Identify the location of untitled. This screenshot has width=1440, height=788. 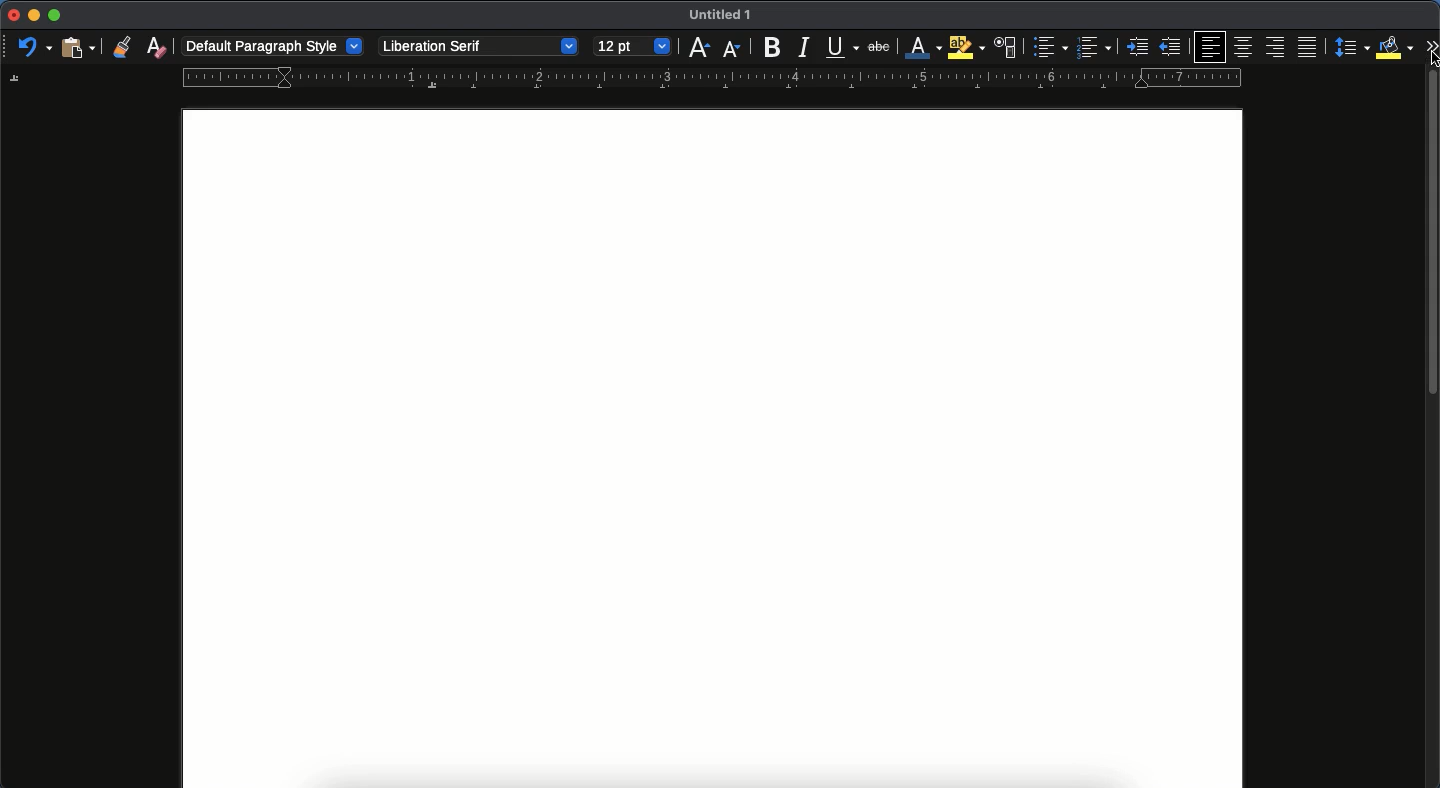
(716, 16).